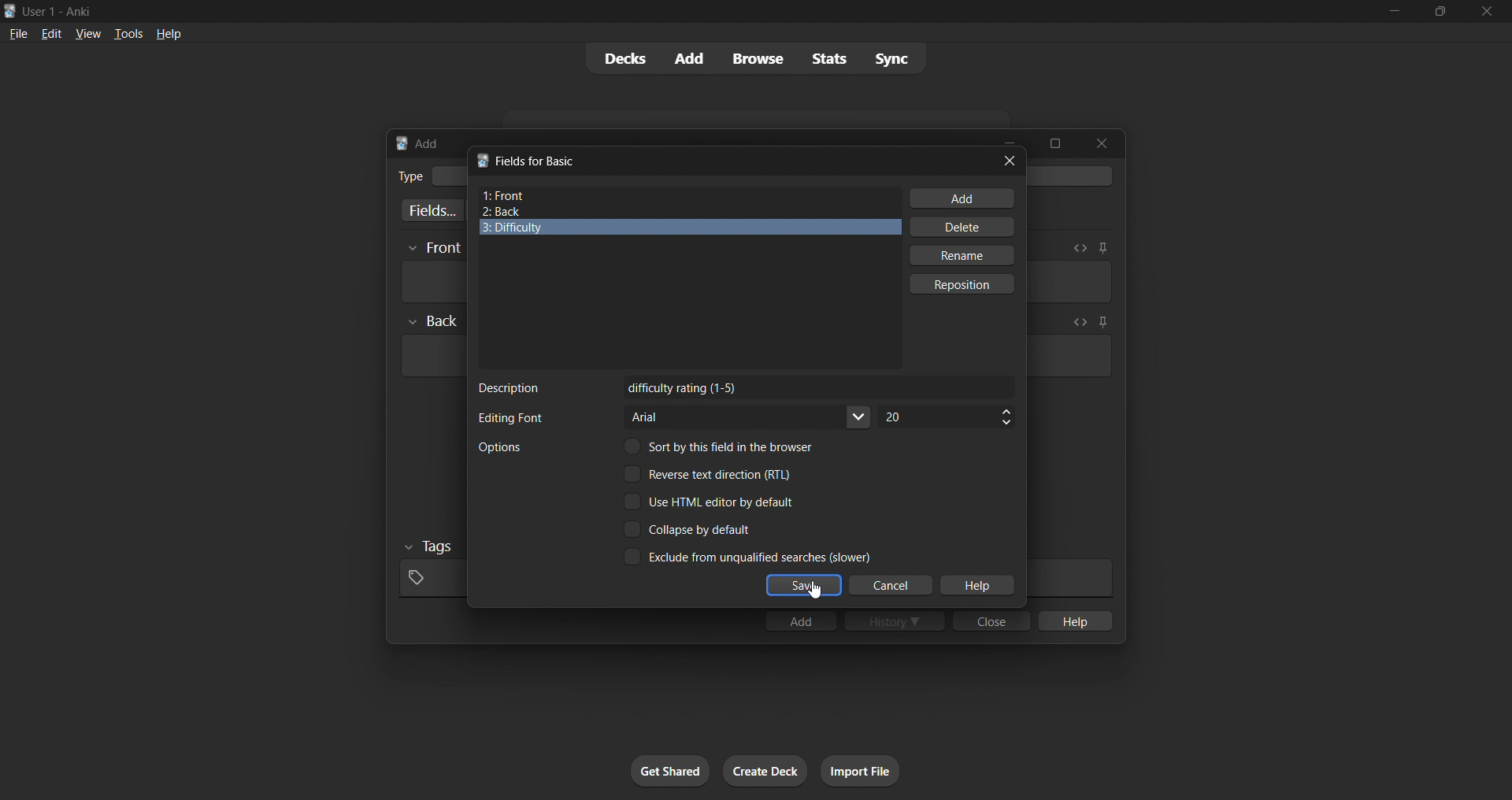  What do you see at coordinates (684, 212) in the screenshot?
I see `back field` at bounding box center [684, 212].